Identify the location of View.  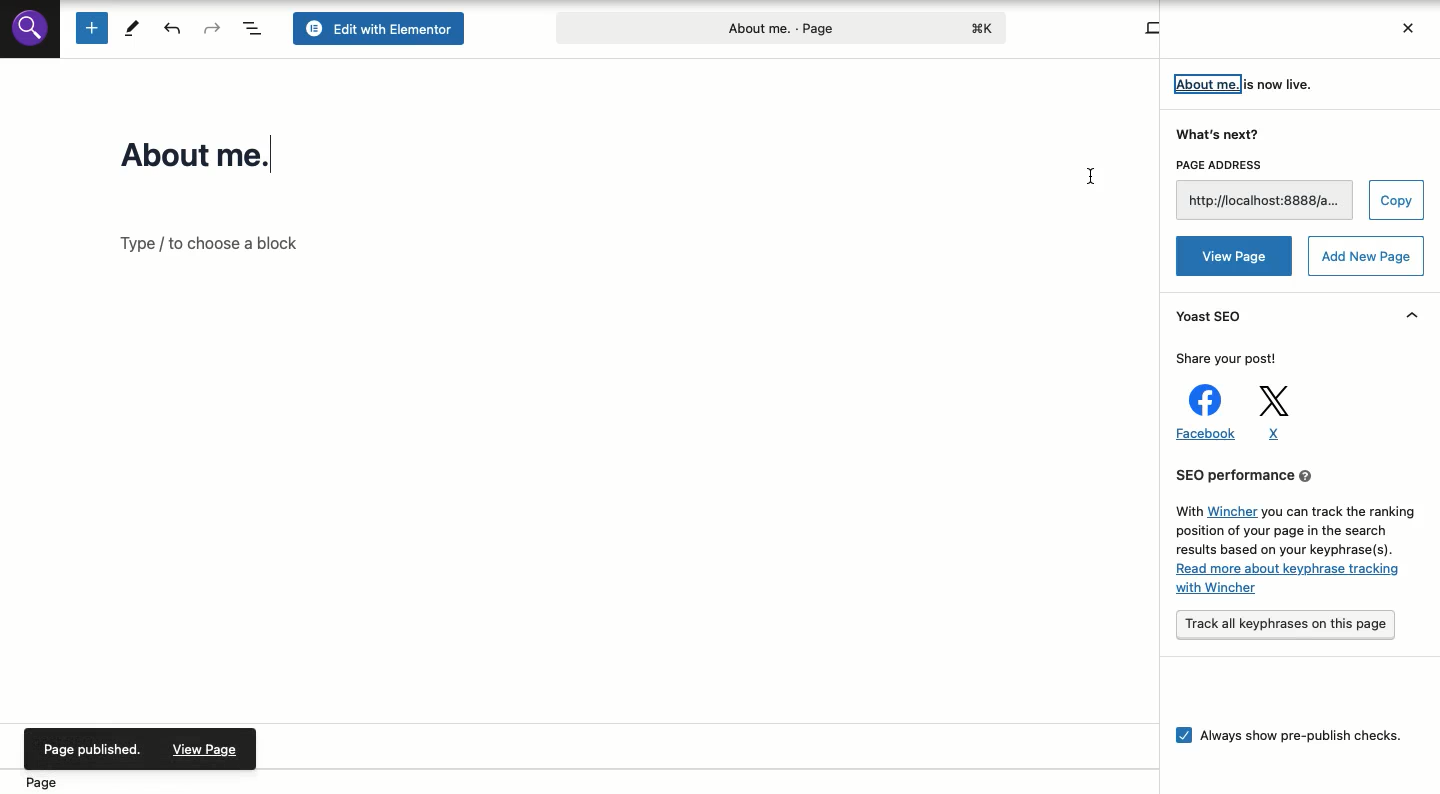
(1150, 26).